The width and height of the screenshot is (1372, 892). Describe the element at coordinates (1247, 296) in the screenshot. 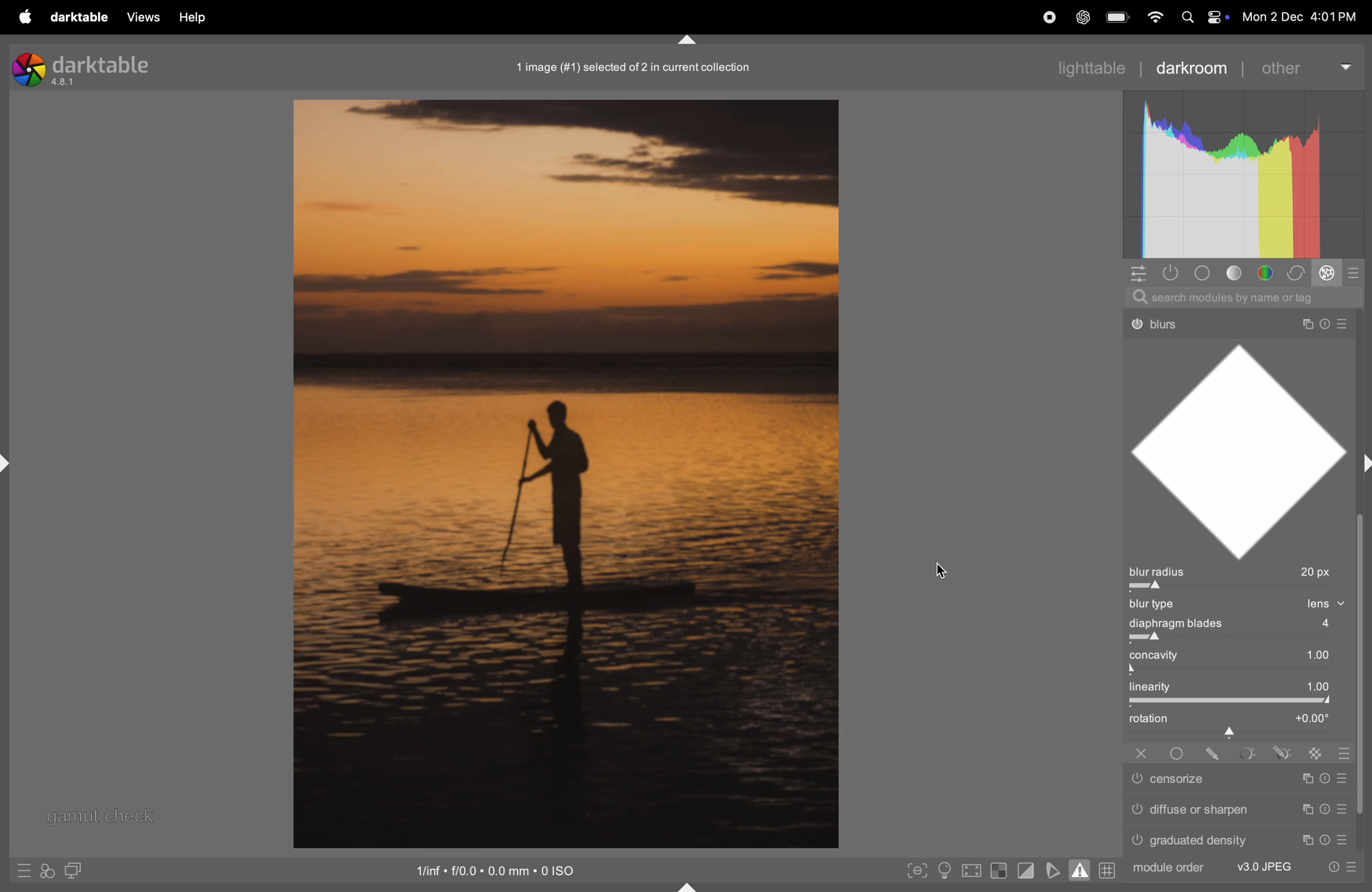

I see `search bar` at that location.